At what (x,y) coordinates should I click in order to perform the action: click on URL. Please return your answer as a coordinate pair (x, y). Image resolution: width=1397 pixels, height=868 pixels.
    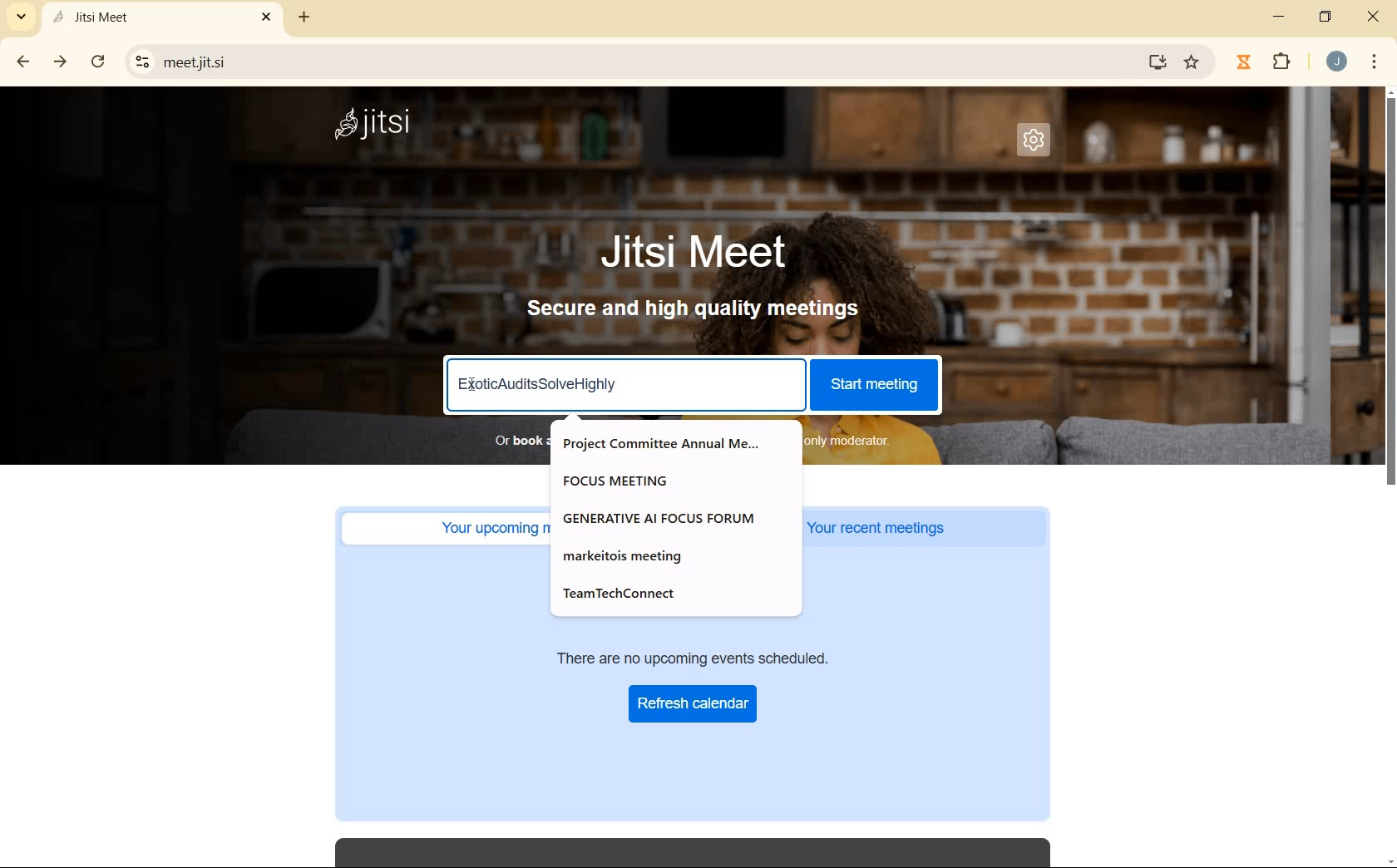
    Looking at the image, I should click on (643, 61).